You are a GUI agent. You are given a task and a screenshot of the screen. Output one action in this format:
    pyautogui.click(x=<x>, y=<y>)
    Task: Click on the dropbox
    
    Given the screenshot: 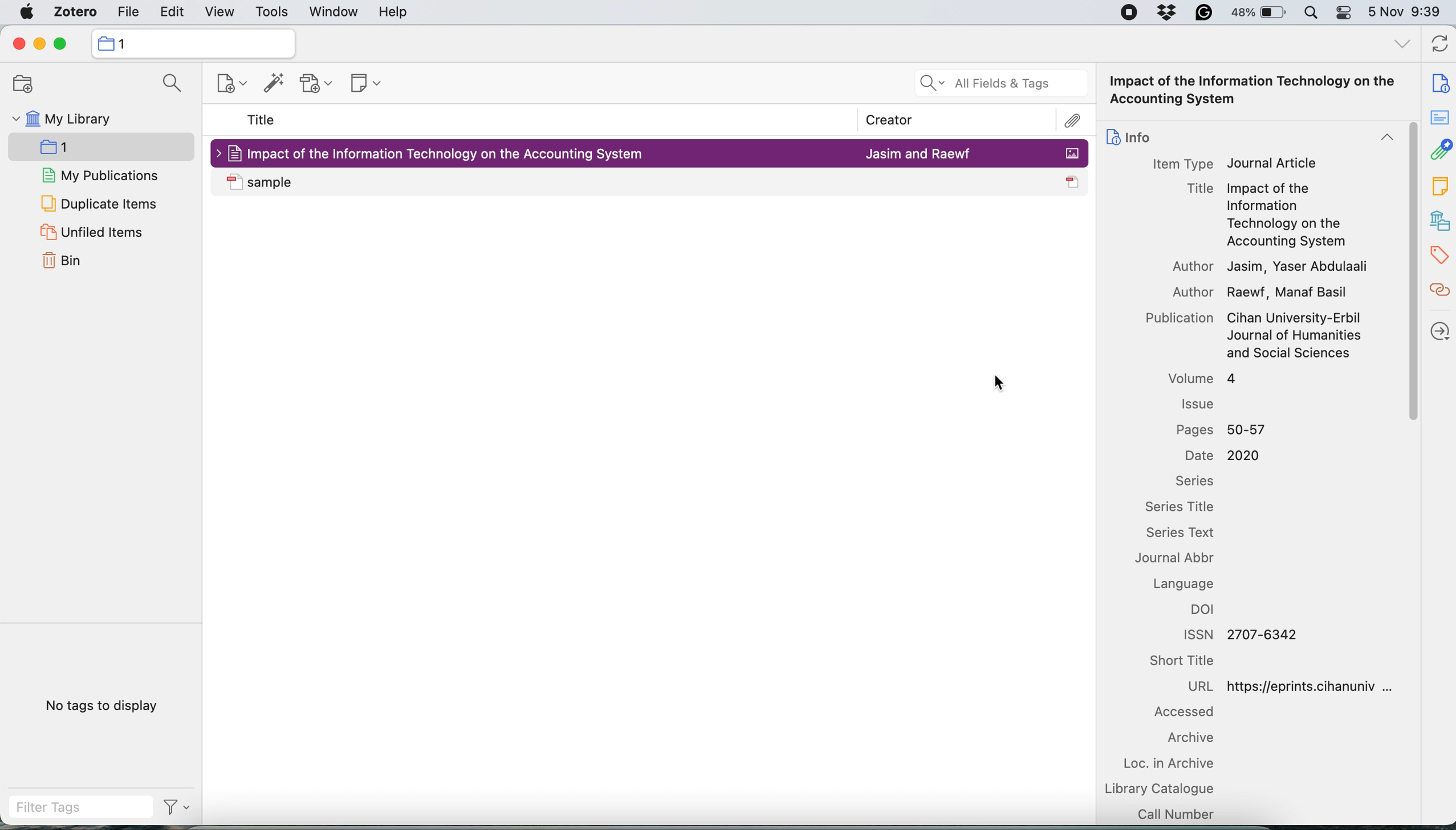 What is the action you would take?
    pyautogui.click(x=1165, y=12)
    